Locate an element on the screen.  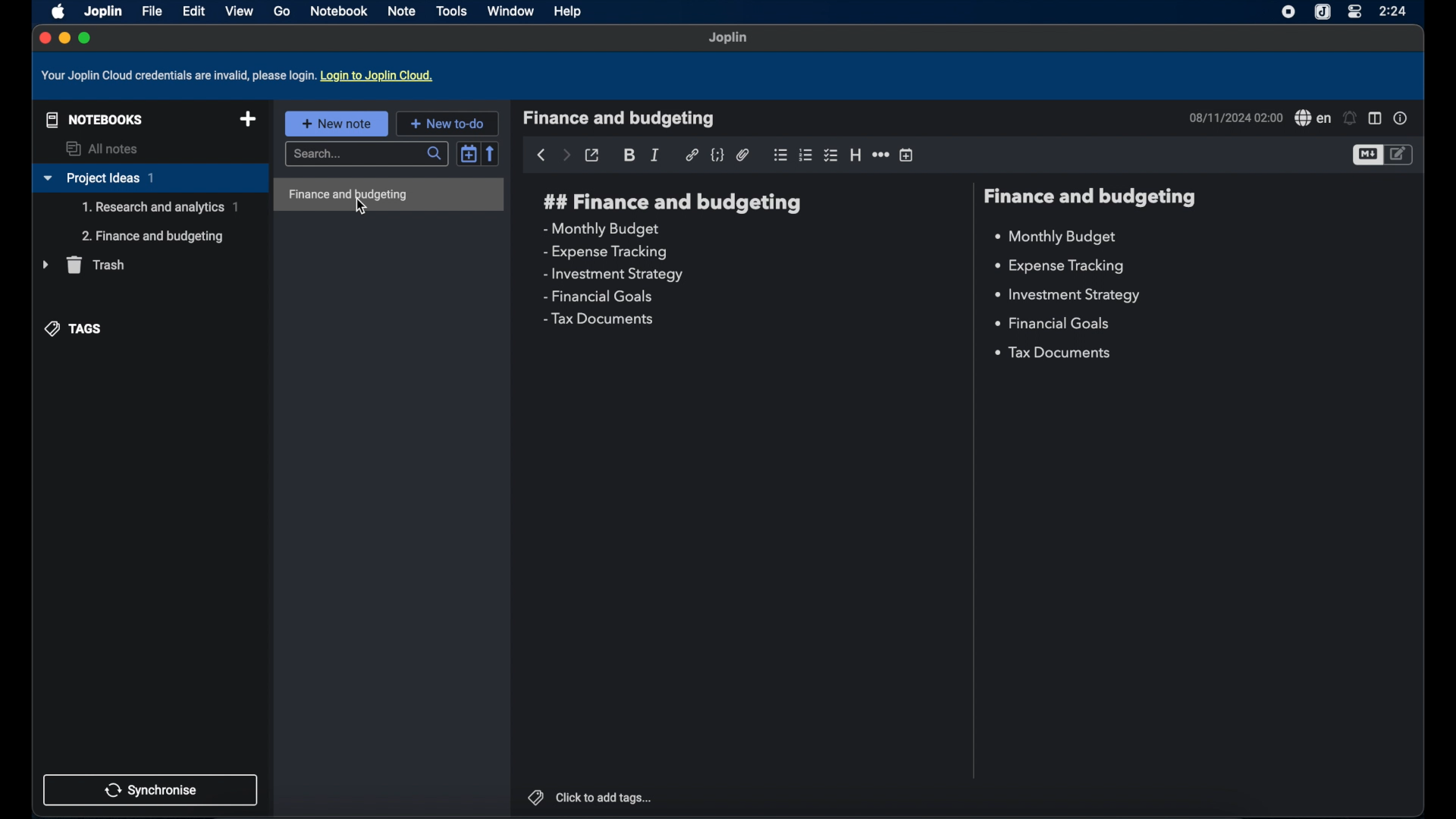
investment strategy is located at coordinates (1066, 295).